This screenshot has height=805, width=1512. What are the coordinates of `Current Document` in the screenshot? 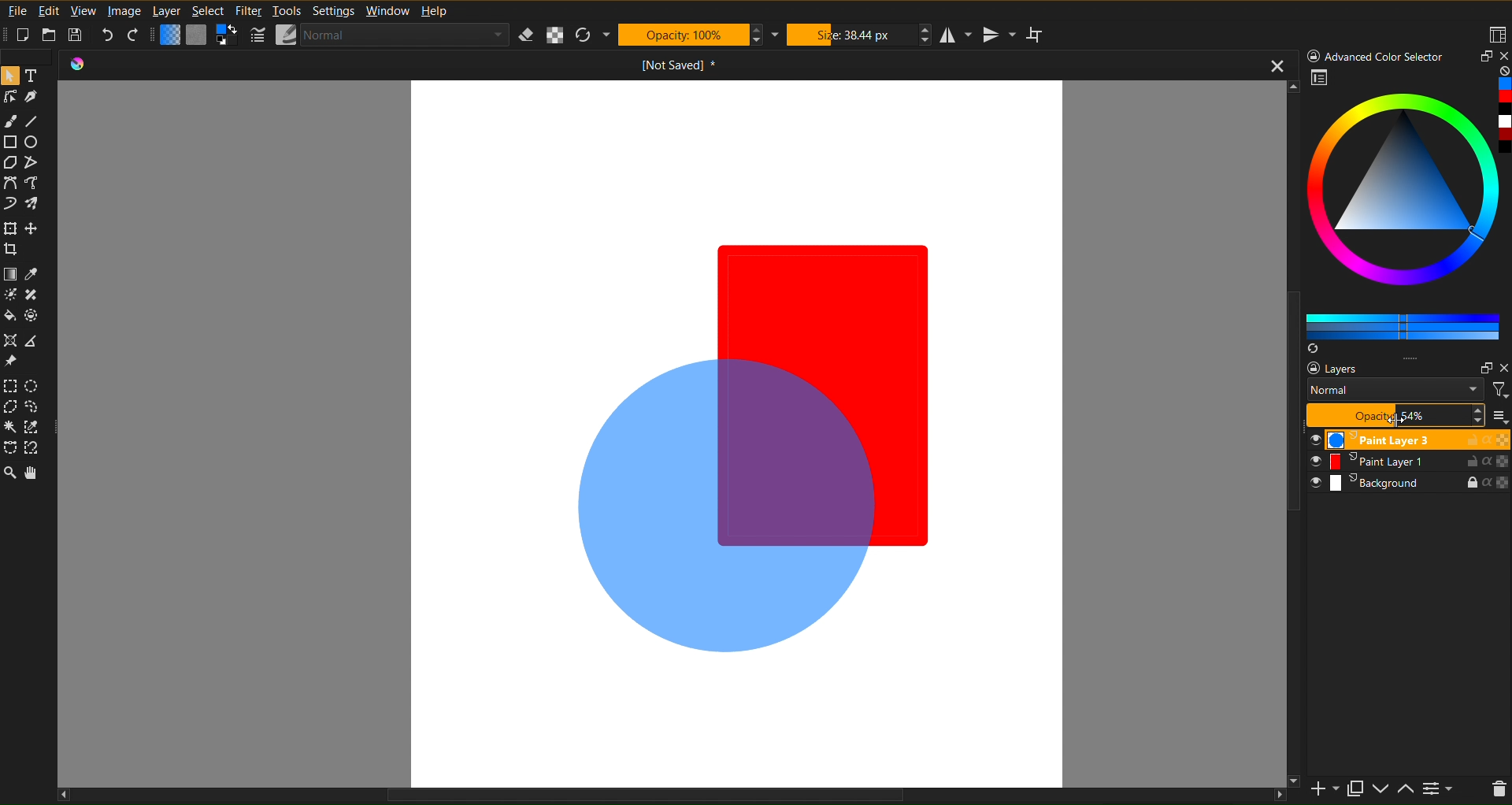 It's located at (602, 69).